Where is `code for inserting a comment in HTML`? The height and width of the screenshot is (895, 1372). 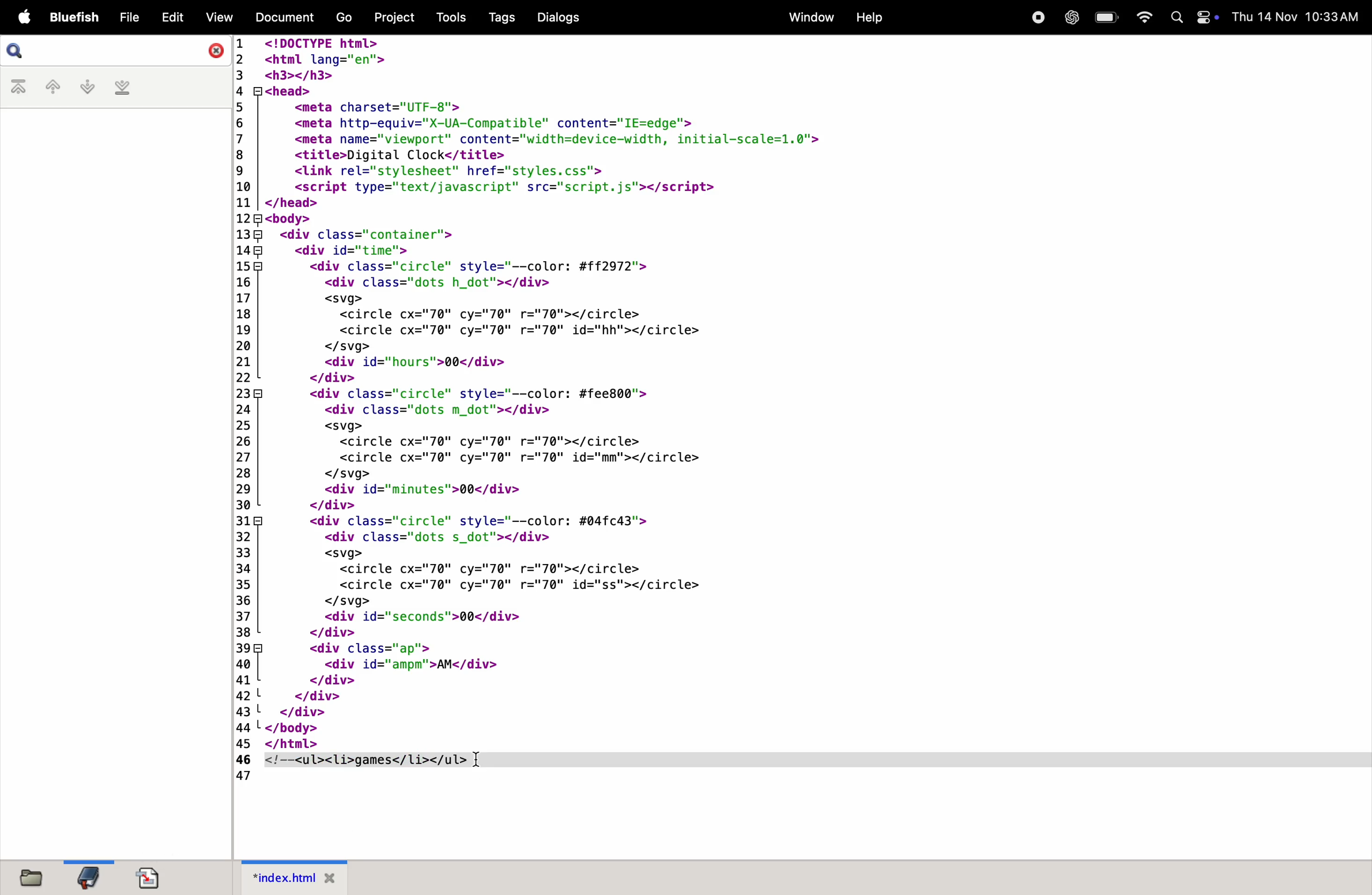 code for inserting a comment in HTML is located at coordinates (661, 414).